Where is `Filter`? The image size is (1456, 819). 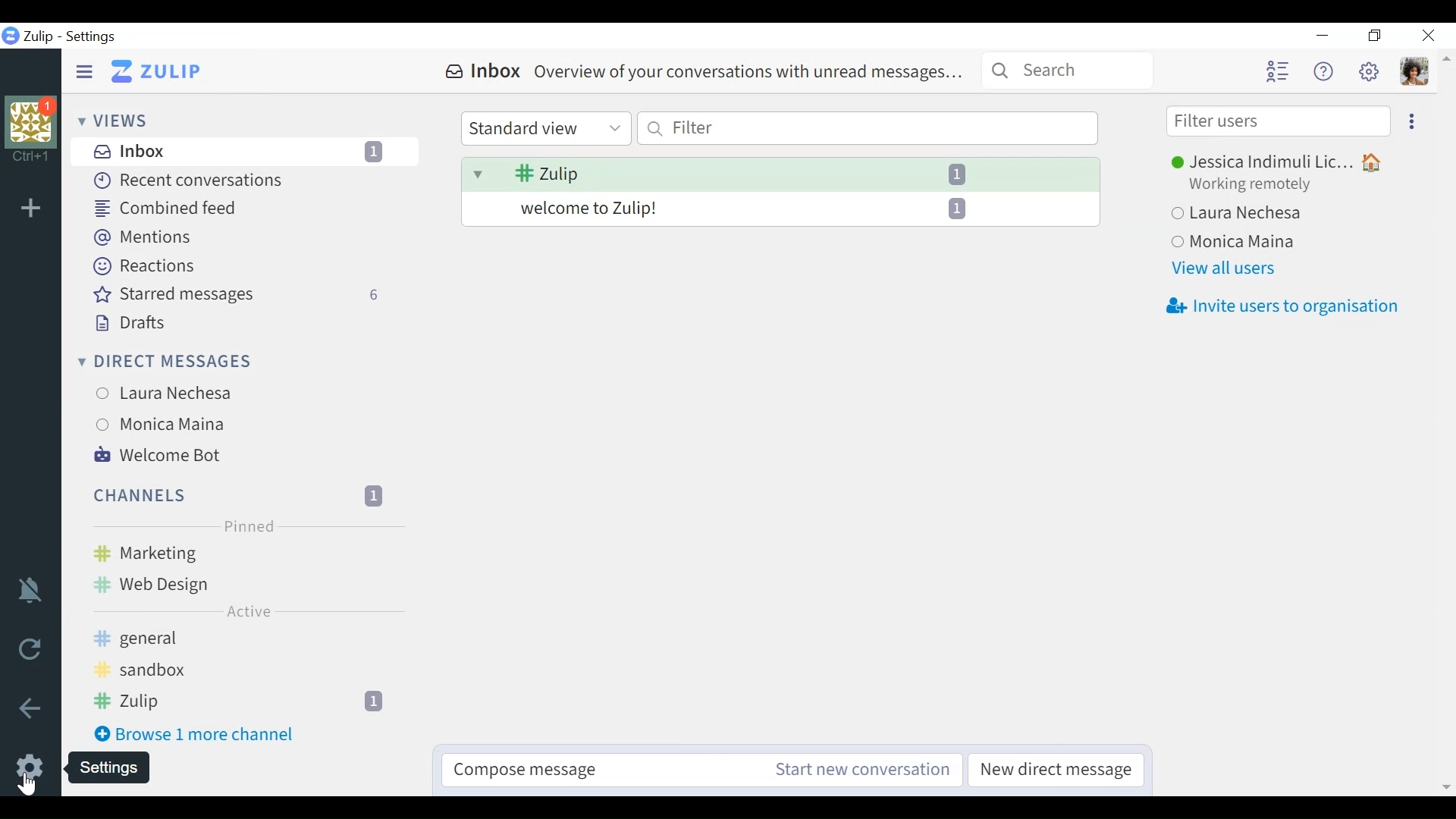 Filter is located at coordinates (868, 127).